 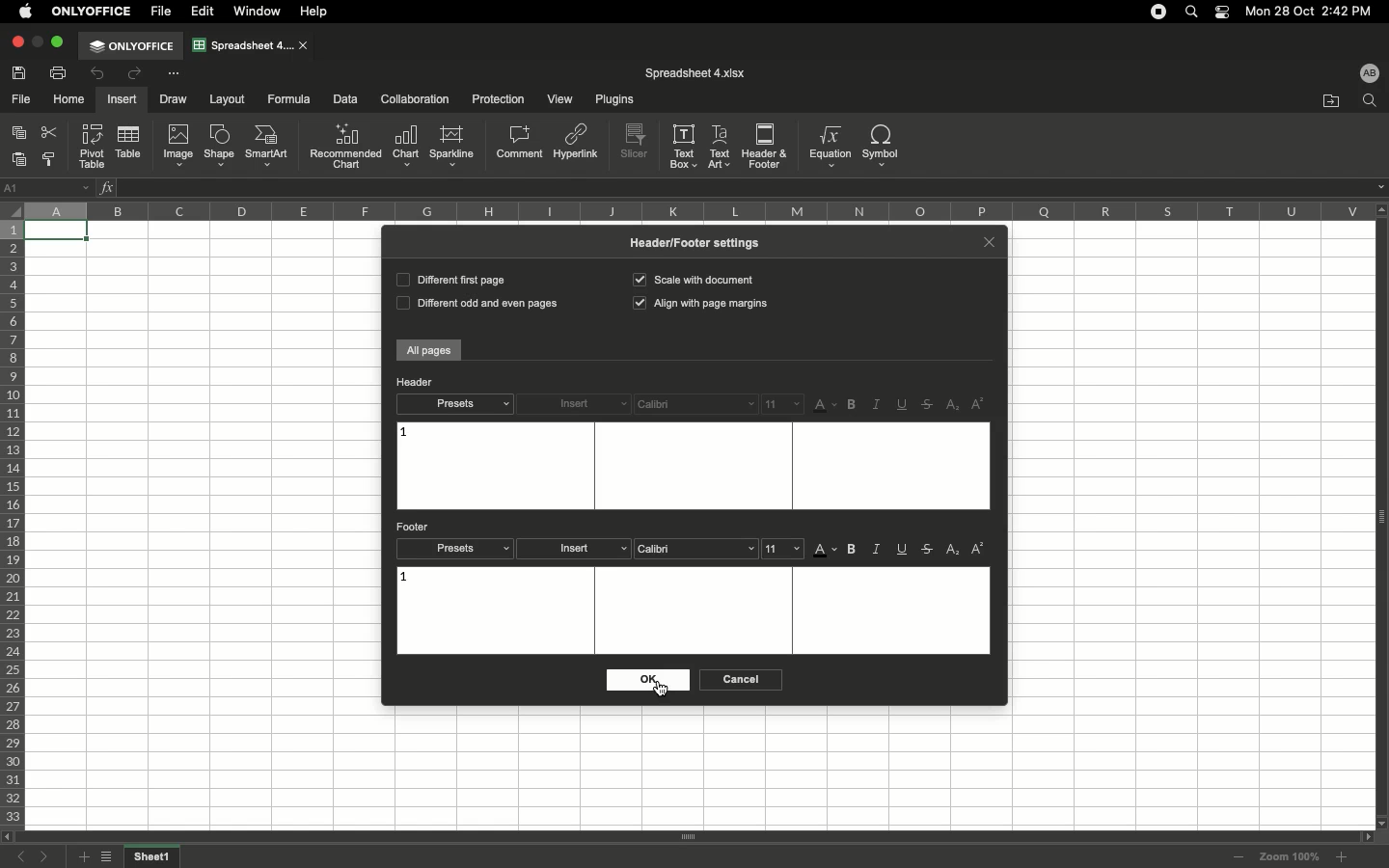 What do you see at coordinates (22, 100) in the screenshot?
I see `File` at bounding box center [22, 100].